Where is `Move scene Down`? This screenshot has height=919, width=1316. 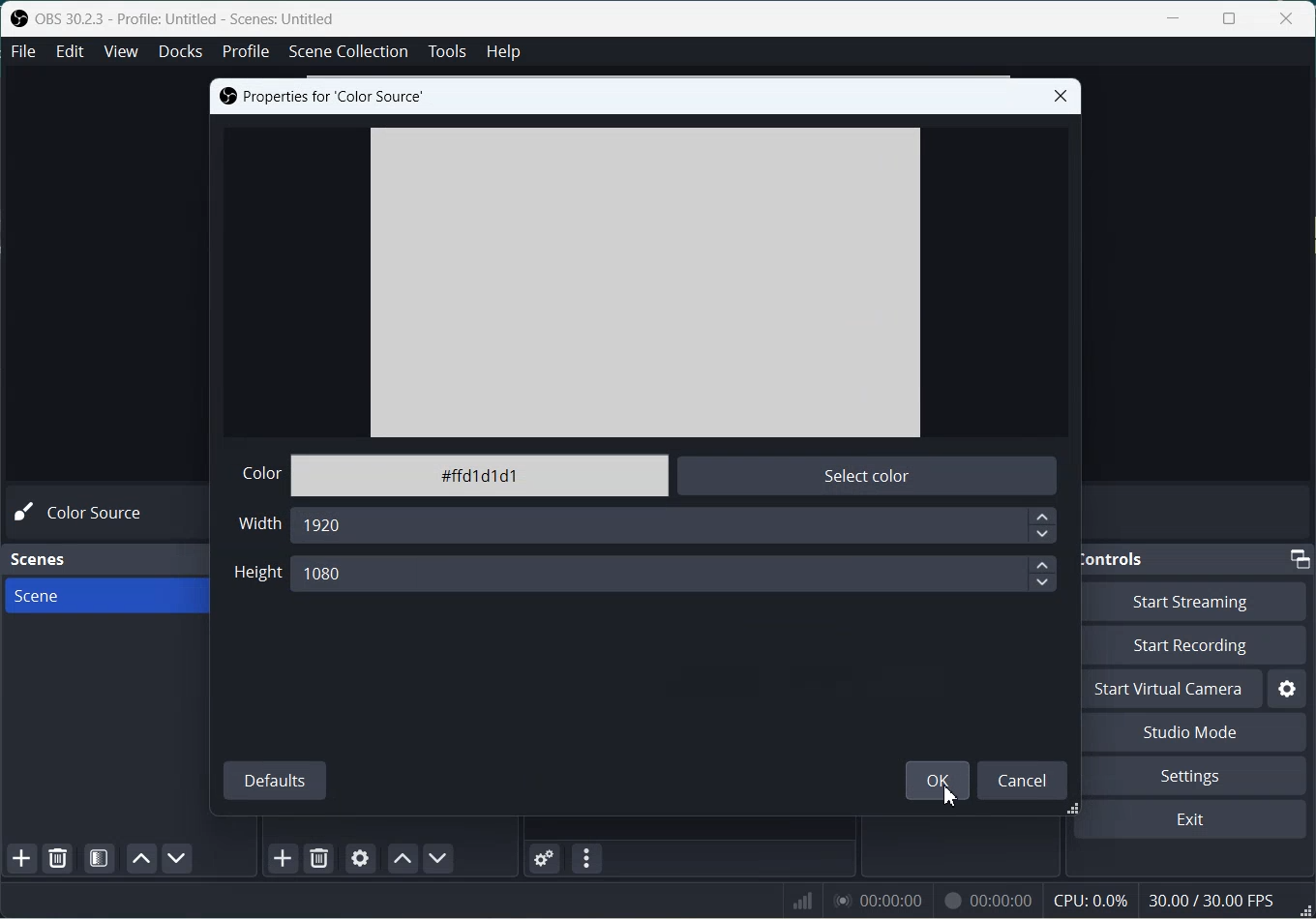 Move scene Down is located at coordinates (177, 858).